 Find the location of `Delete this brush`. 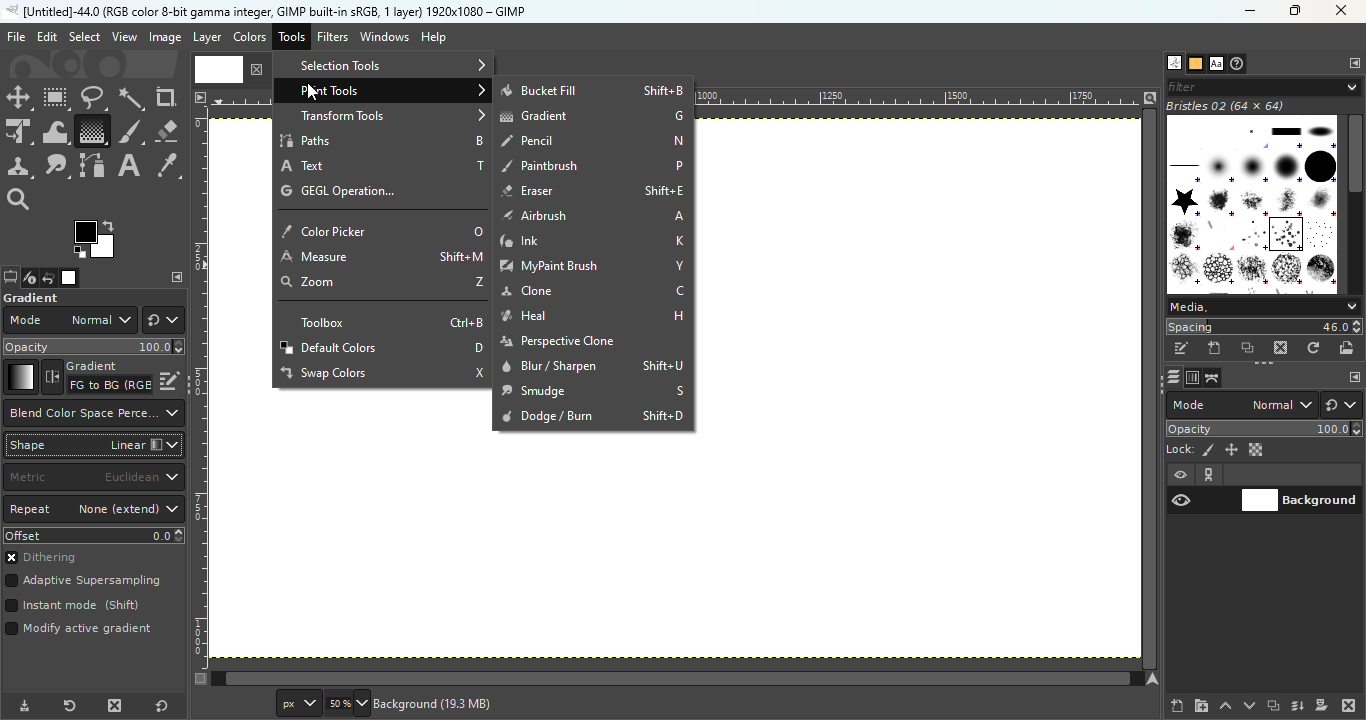

Delete this brush is located at coordinates (1282, 347).